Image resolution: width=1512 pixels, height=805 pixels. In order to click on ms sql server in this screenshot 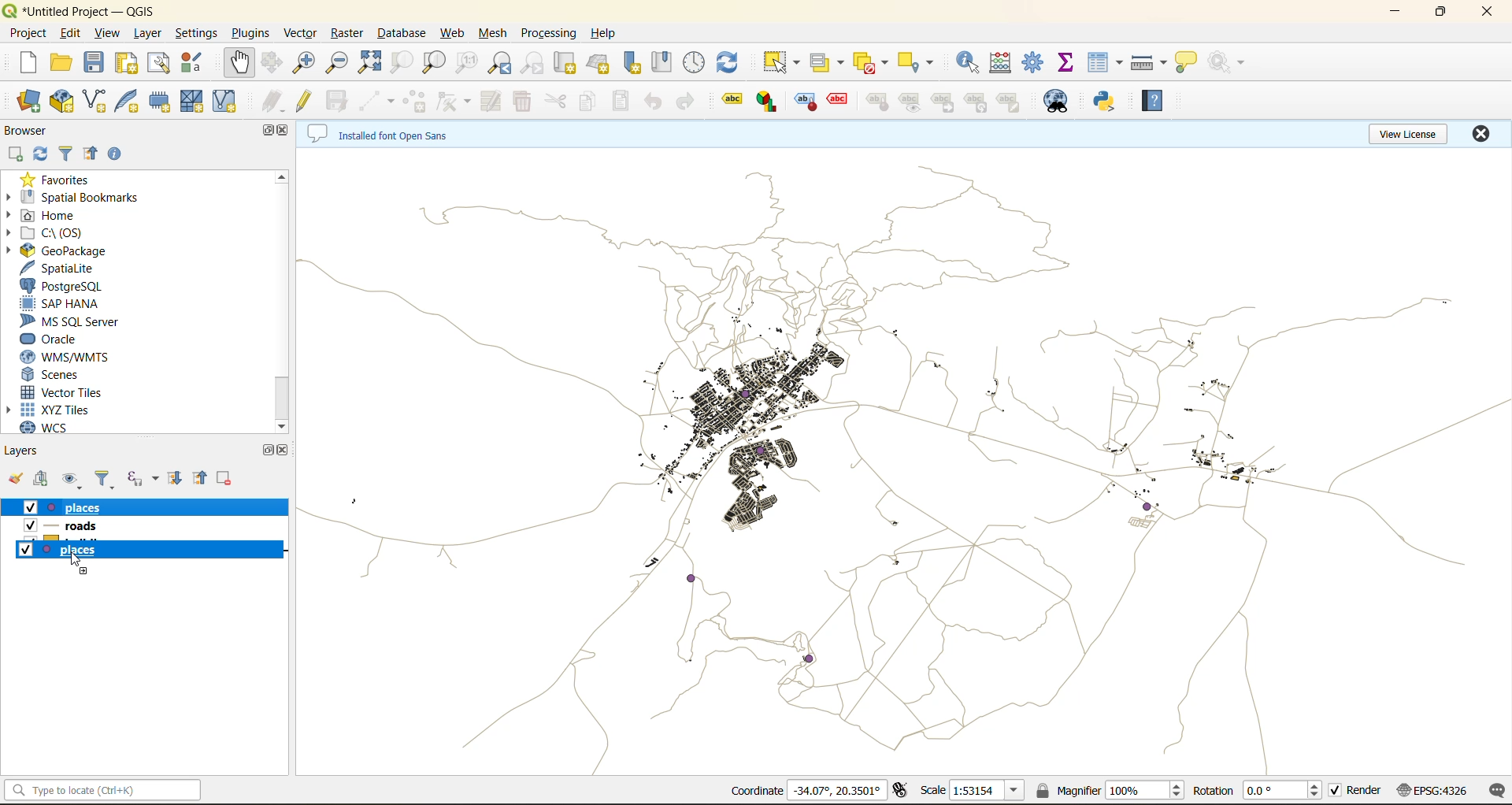, I will do `click(73, 321)`.